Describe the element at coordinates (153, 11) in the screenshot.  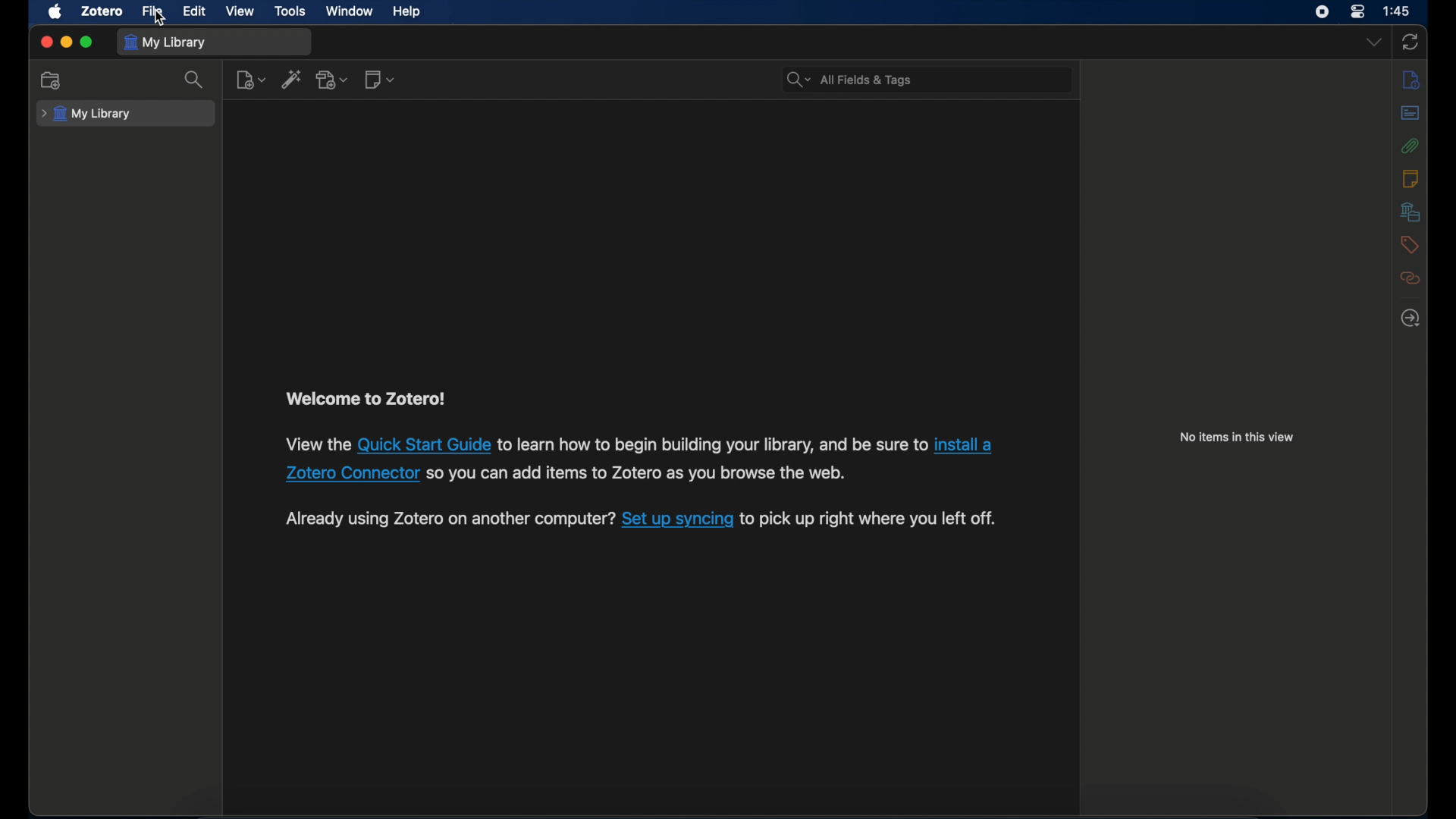
I see `file` at that location.